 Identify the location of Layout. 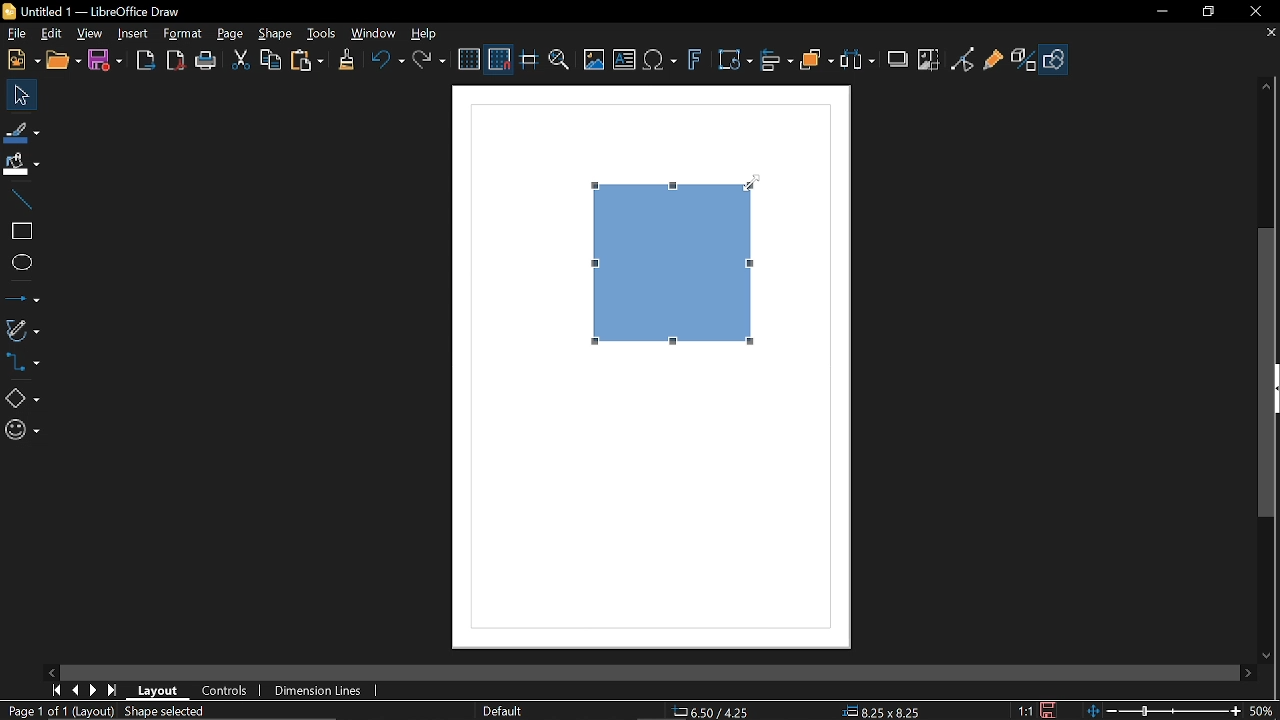
(157, 691).